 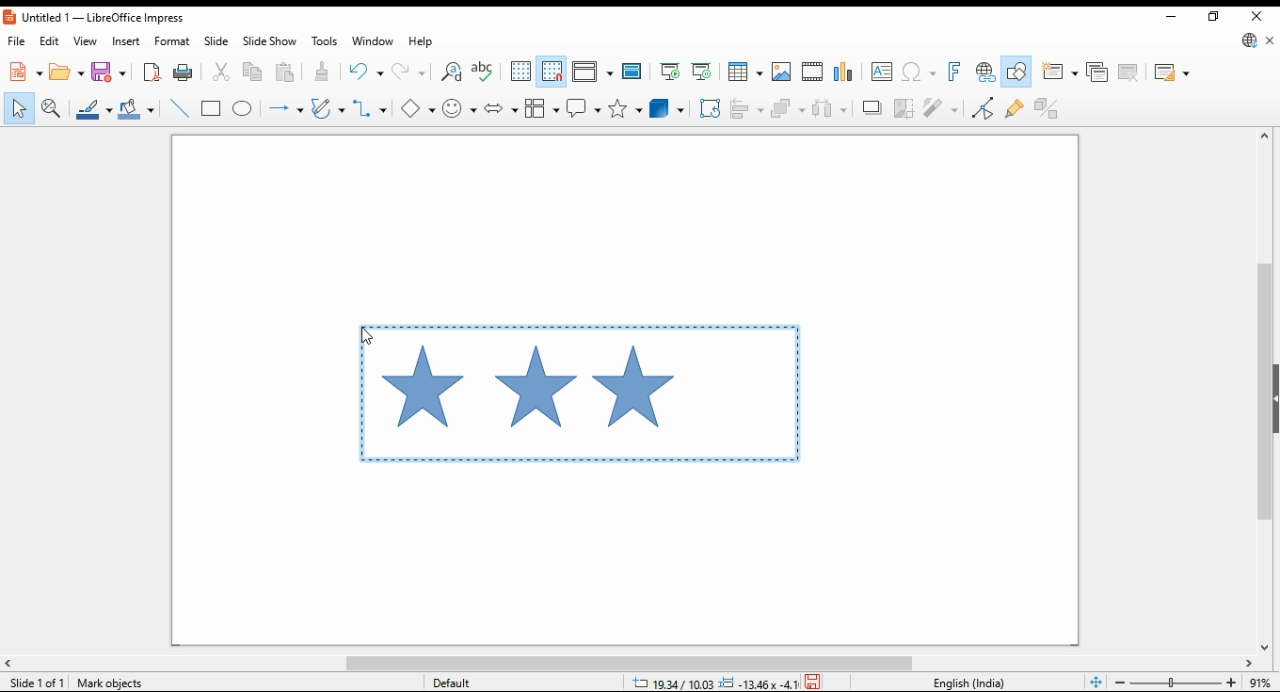 I want to click on dimensions, so click(x=710, y=681).